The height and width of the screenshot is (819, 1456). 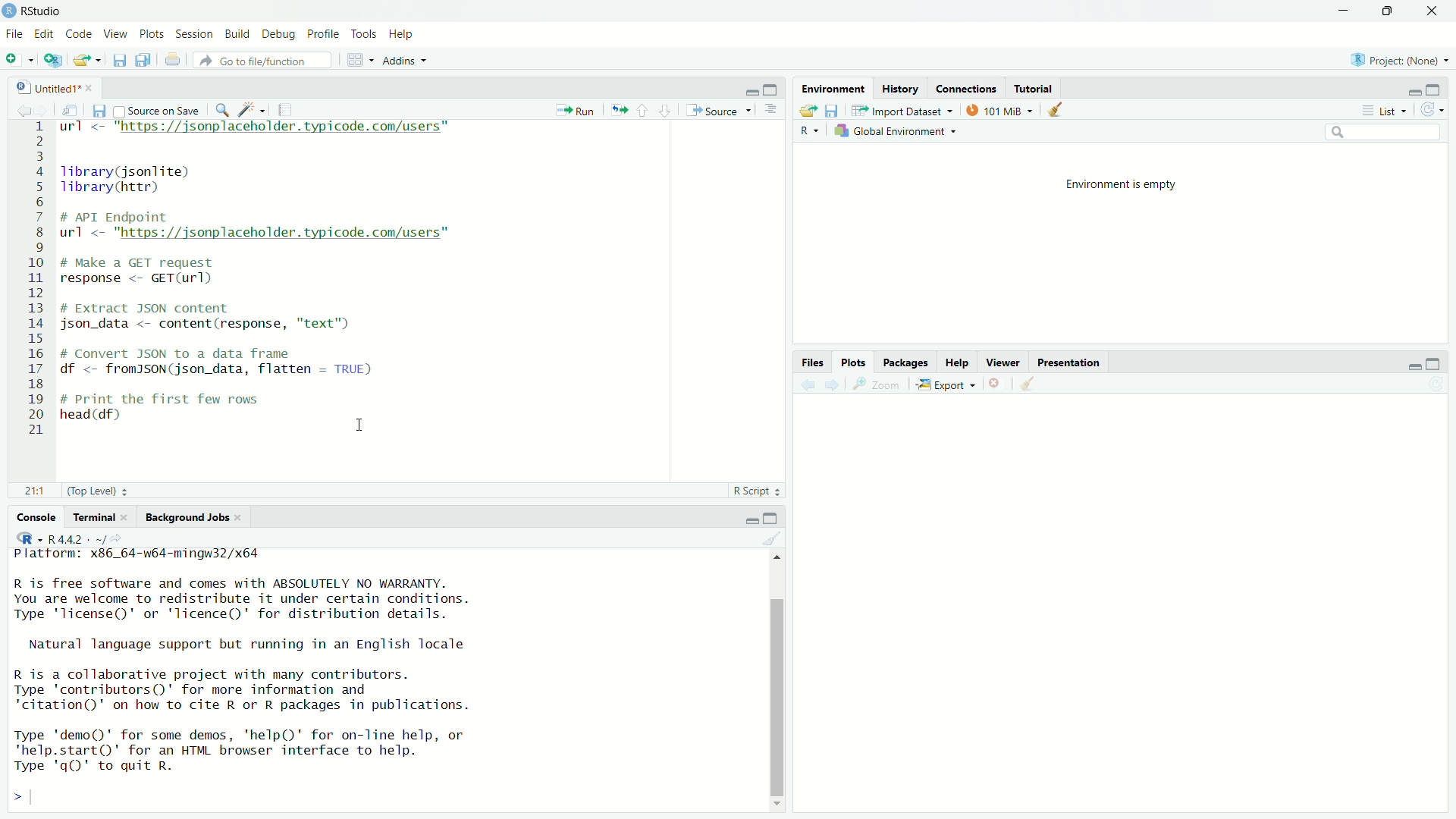 What do you see at coordinates (994, 385) in the screenshot?
I see `Delete` at bounding box center [994, 385].